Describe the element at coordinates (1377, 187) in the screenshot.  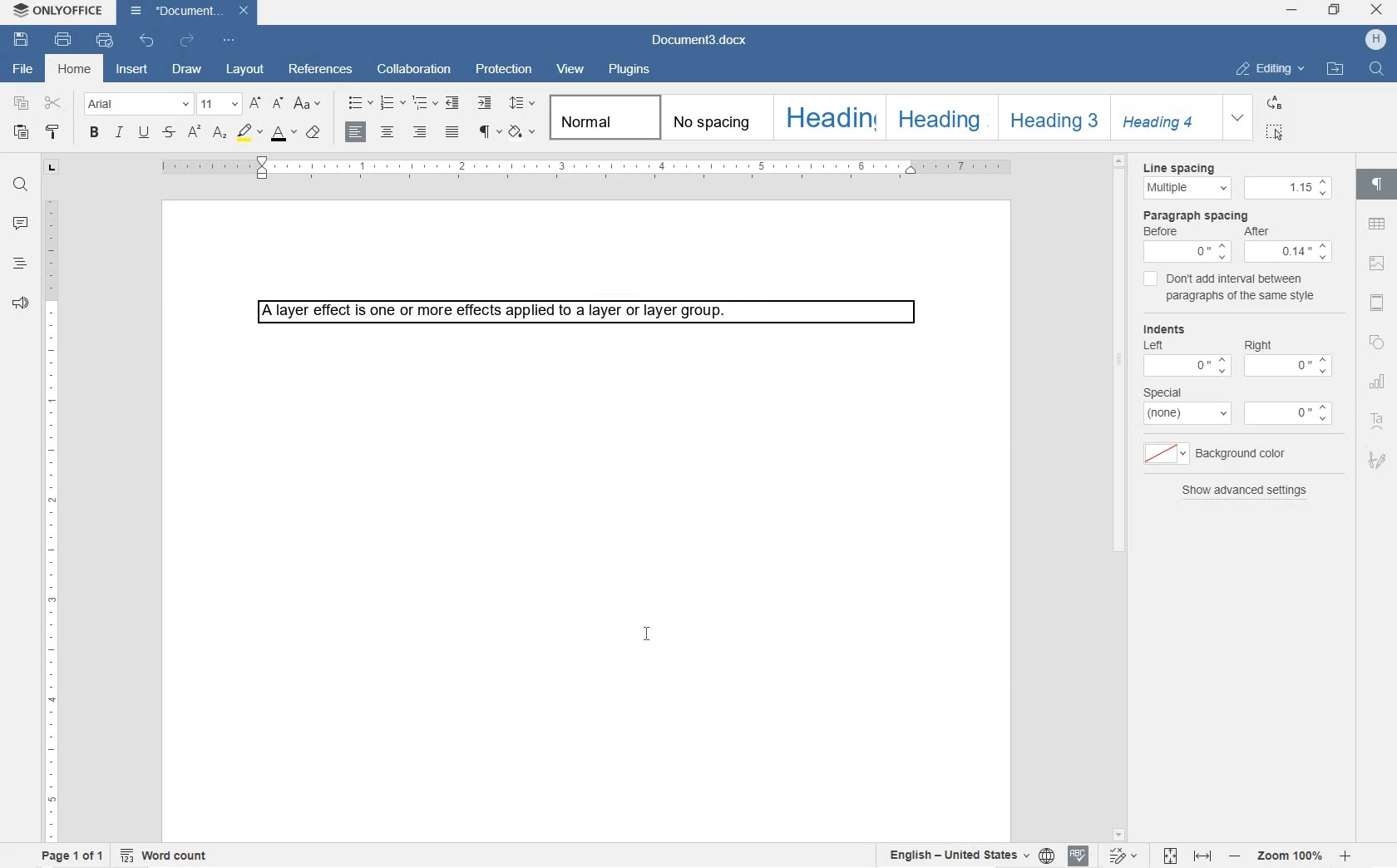
I see `PARAGRAPH SETTINGS` at that location.